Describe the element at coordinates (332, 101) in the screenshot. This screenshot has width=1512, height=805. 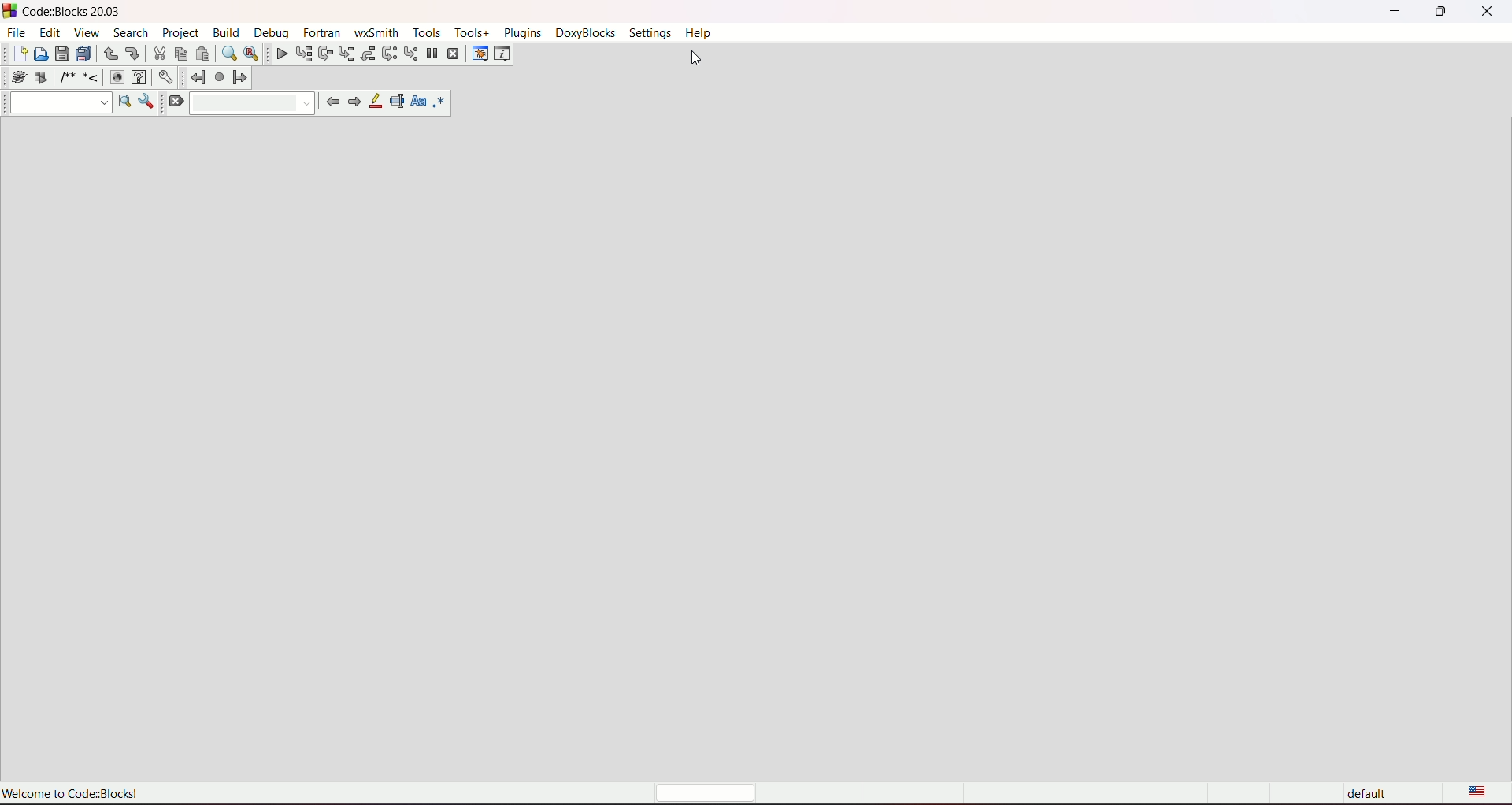
I see `previous` at that location.